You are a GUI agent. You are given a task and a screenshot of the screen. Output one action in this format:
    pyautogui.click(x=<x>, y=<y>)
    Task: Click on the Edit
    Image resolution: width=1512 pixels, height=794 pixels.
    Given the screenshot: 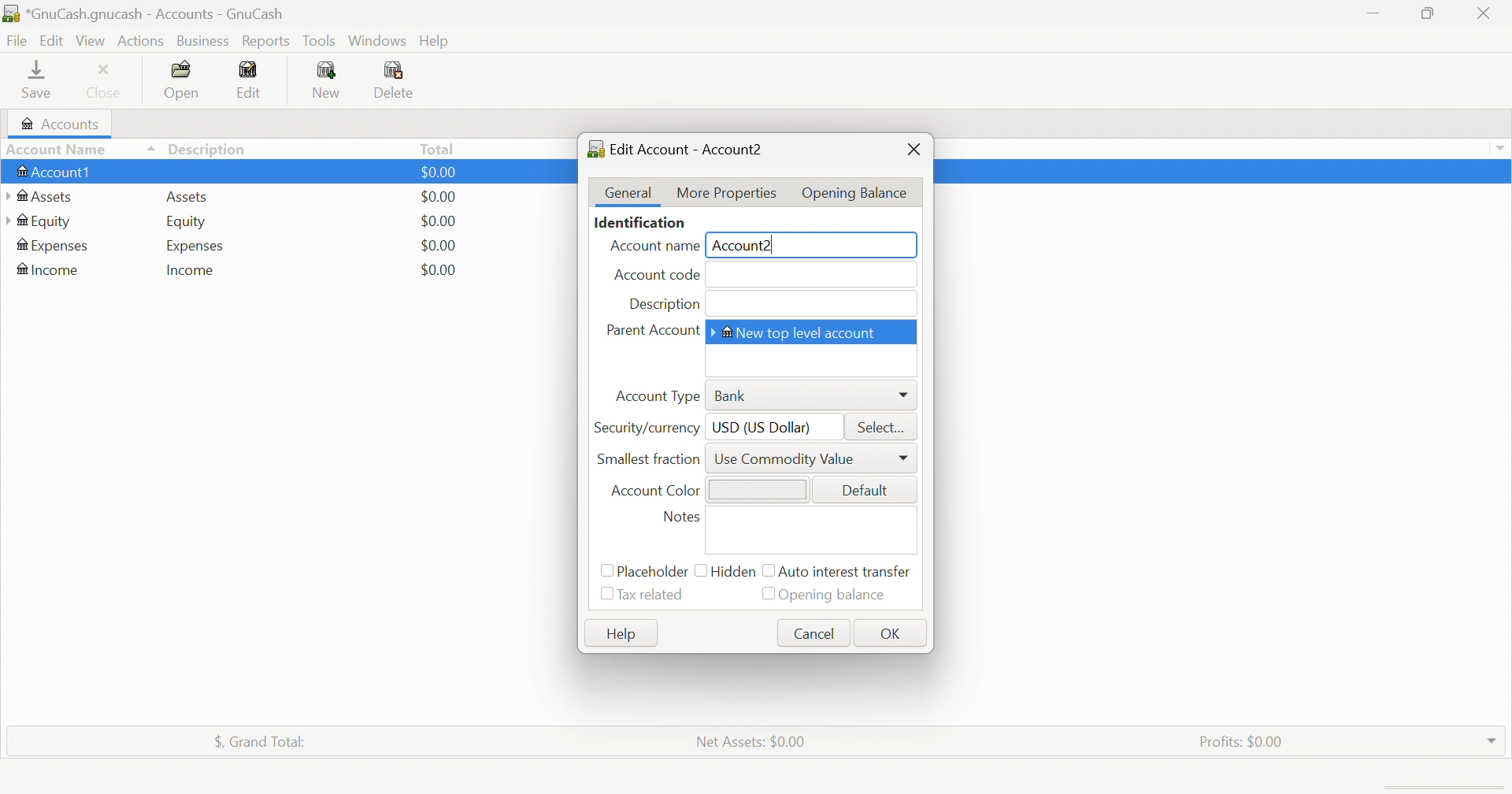 What is the action you would take?
    pyautogui.click(x=254, y=80)
    